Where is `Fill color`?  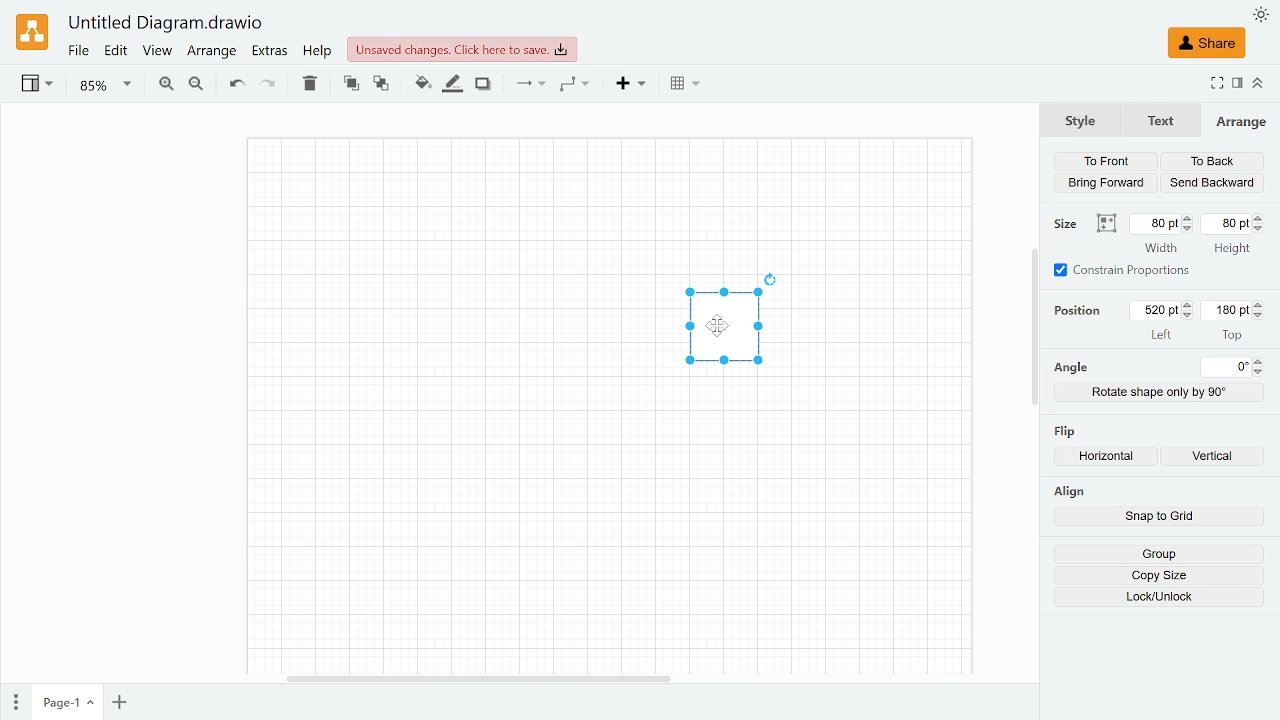 Fill color is located at coordinates (422, 84).